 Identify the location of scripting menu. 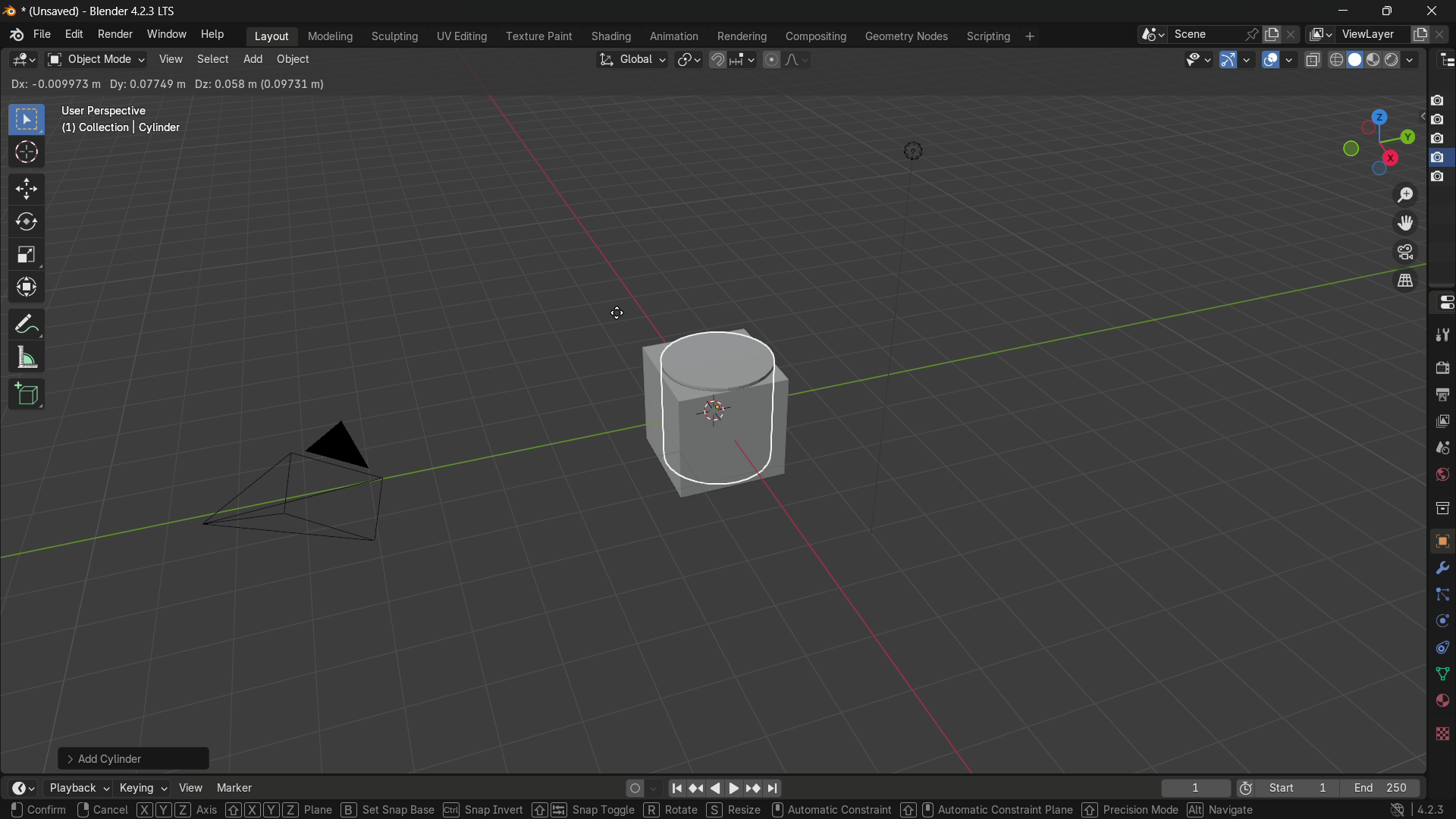
(987, 37).